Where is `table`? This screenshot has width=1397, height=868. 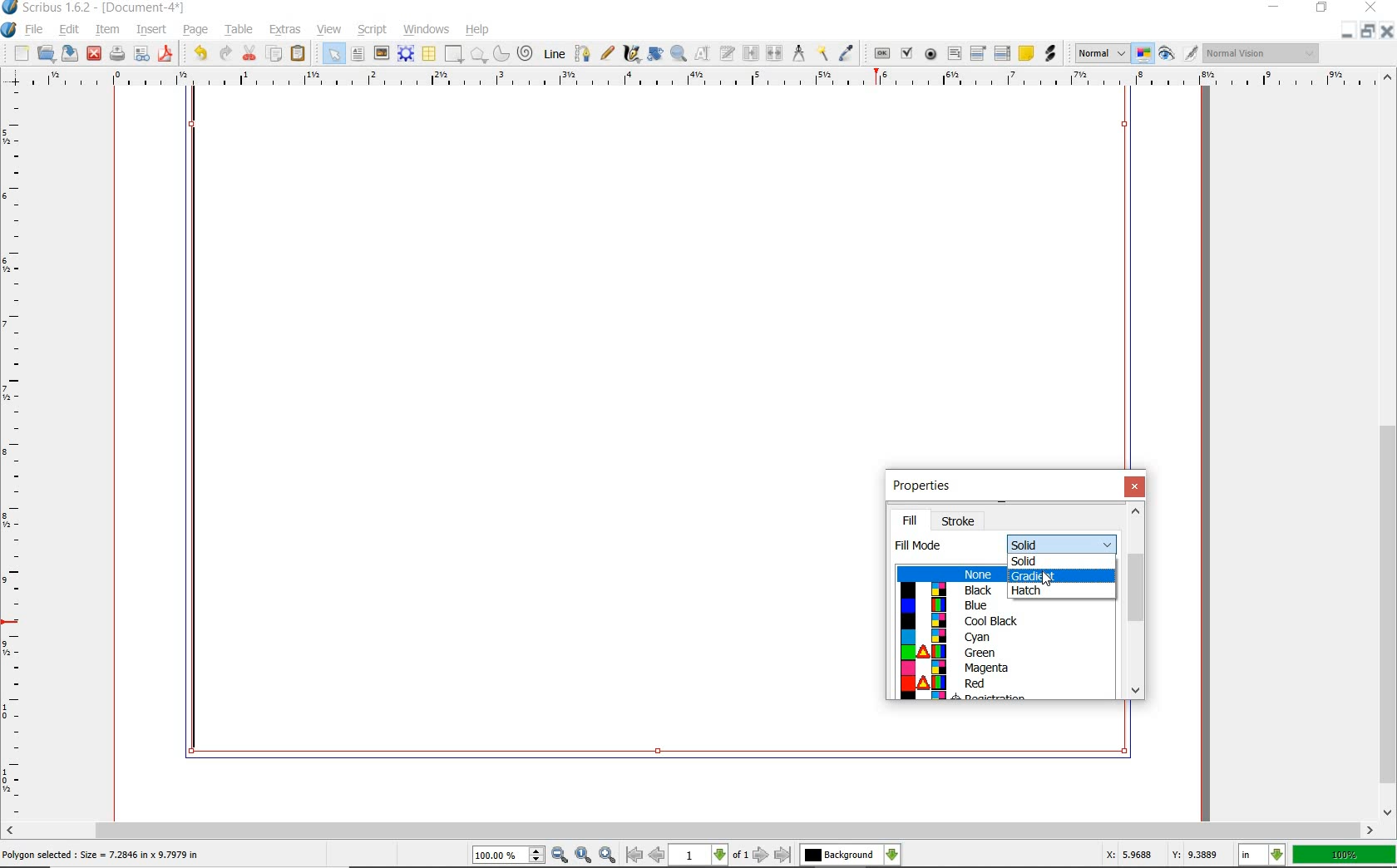 table is located at coordinates (239, 30).